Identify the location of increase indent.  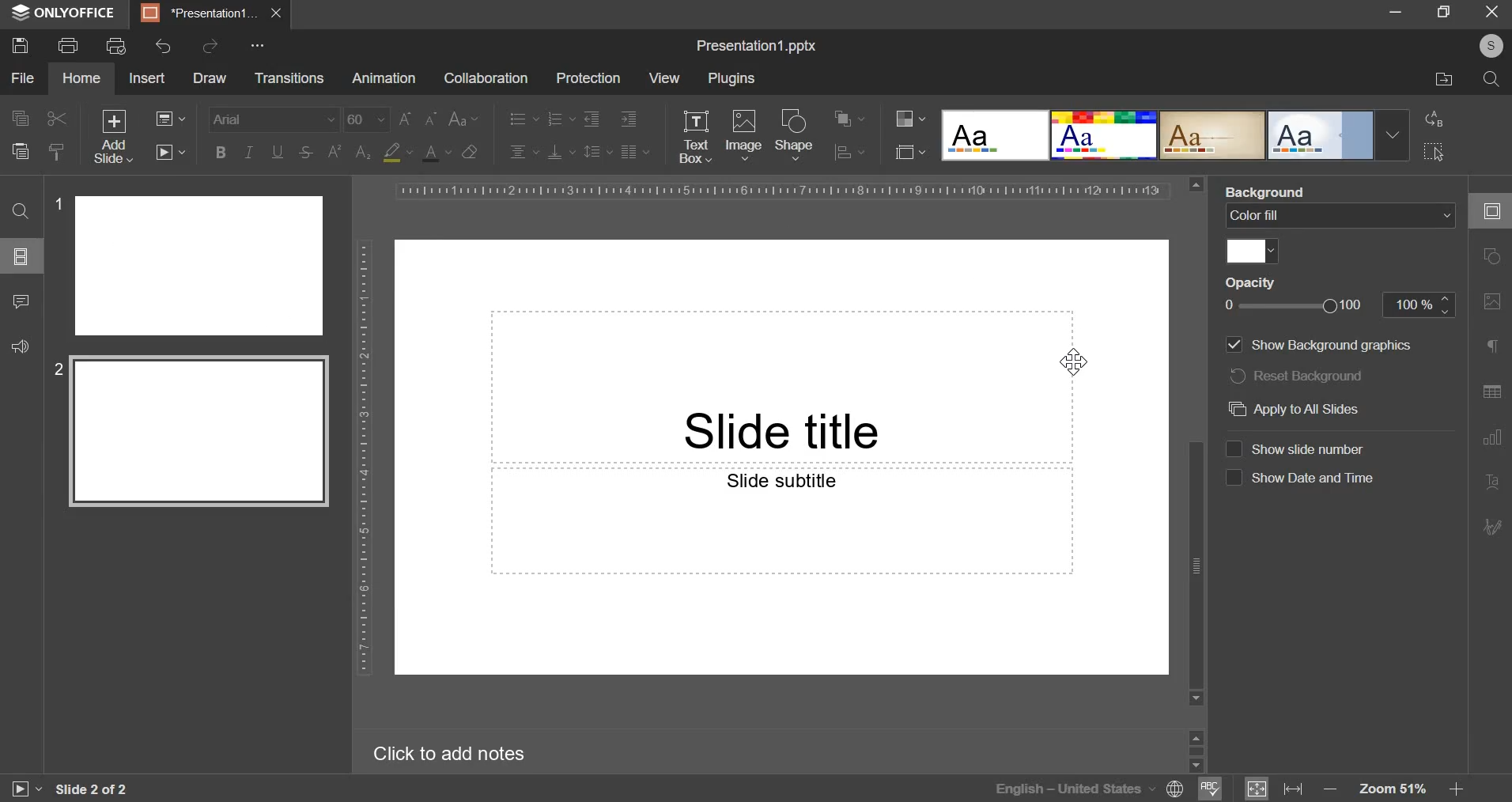
(629, 119).